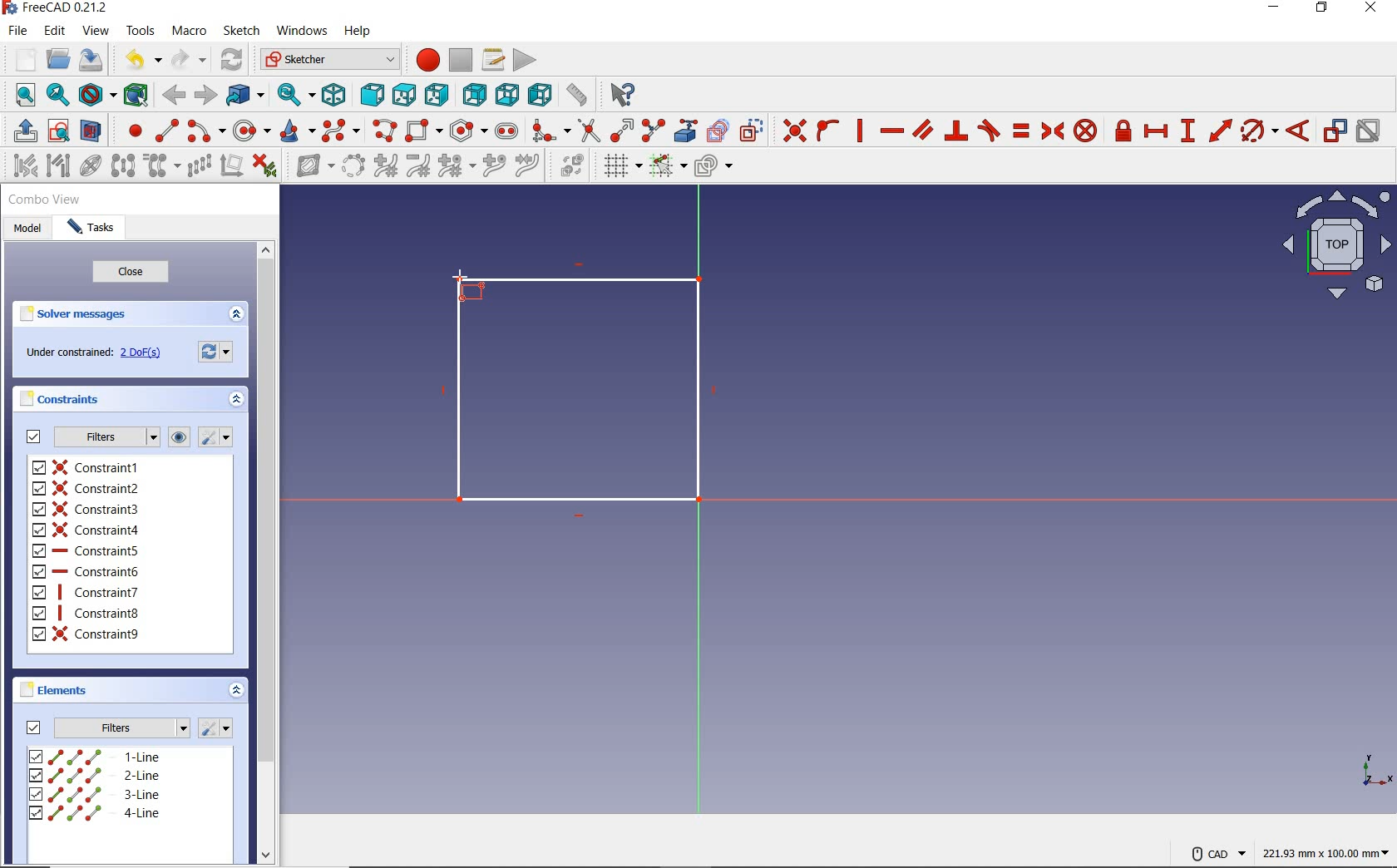 The height and width of the screenshot is (868, 1397). I want to click on minimize, so click(1275, 11).